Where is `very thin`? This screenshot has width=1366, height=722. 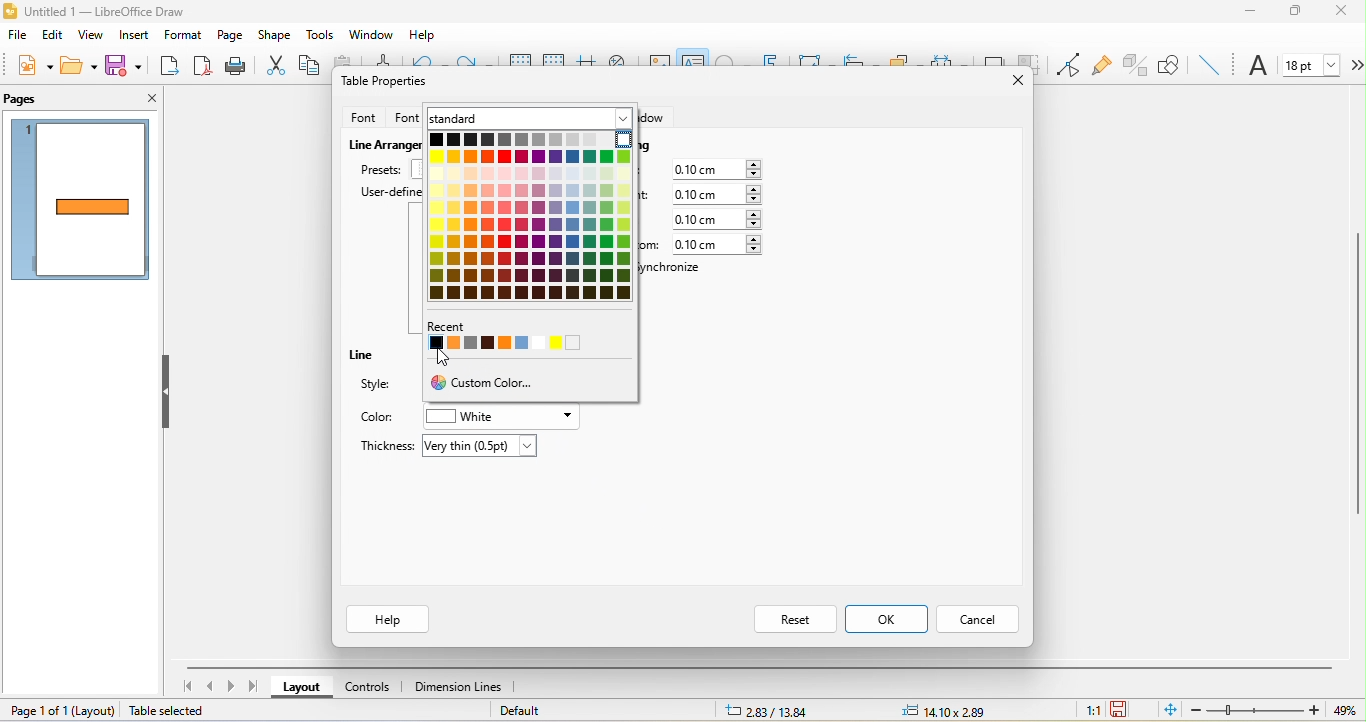
very thin is located at coordinates (482, 446).